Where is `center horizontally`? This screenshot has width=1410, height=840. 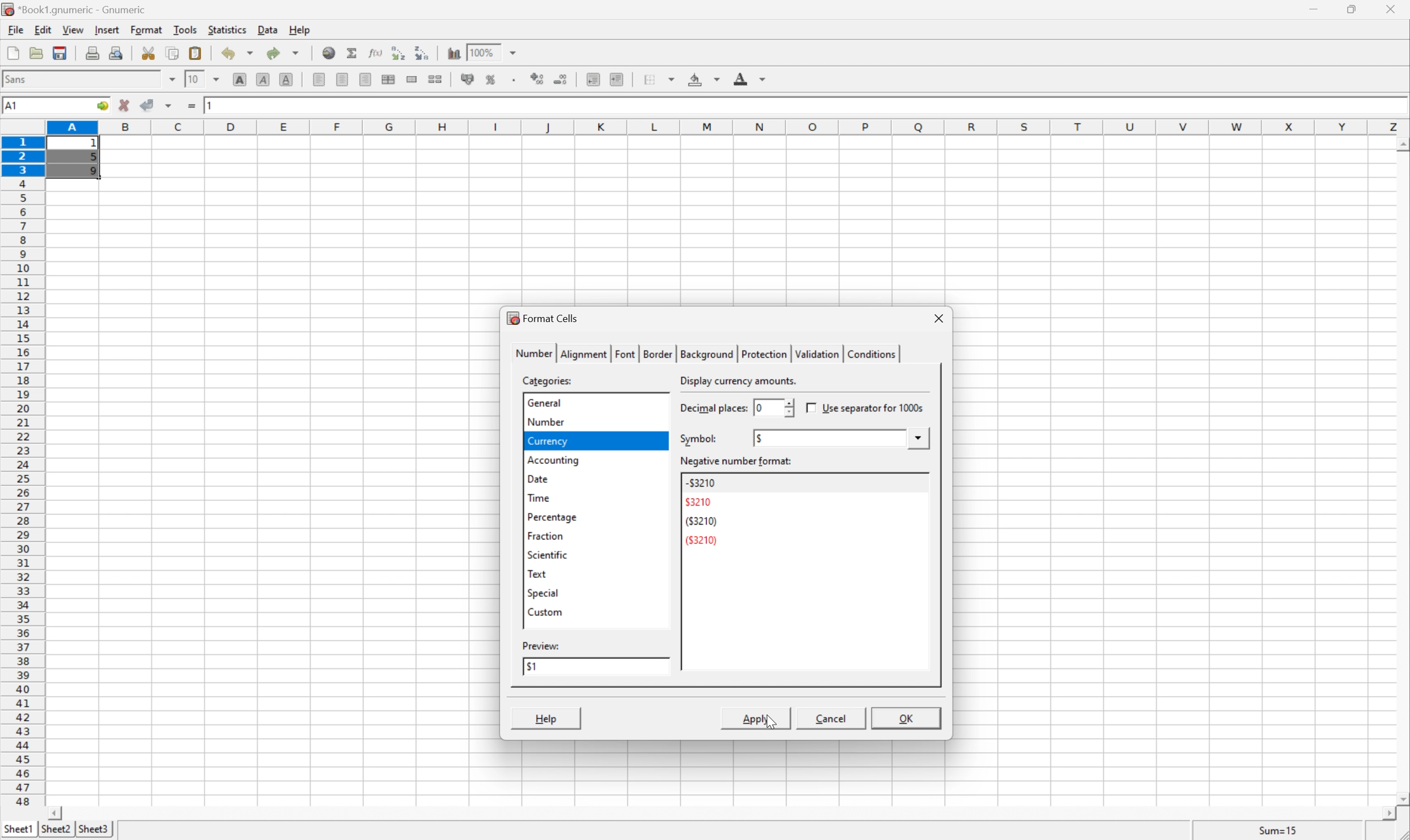 center horizontally is located at coordinates (390, 78).